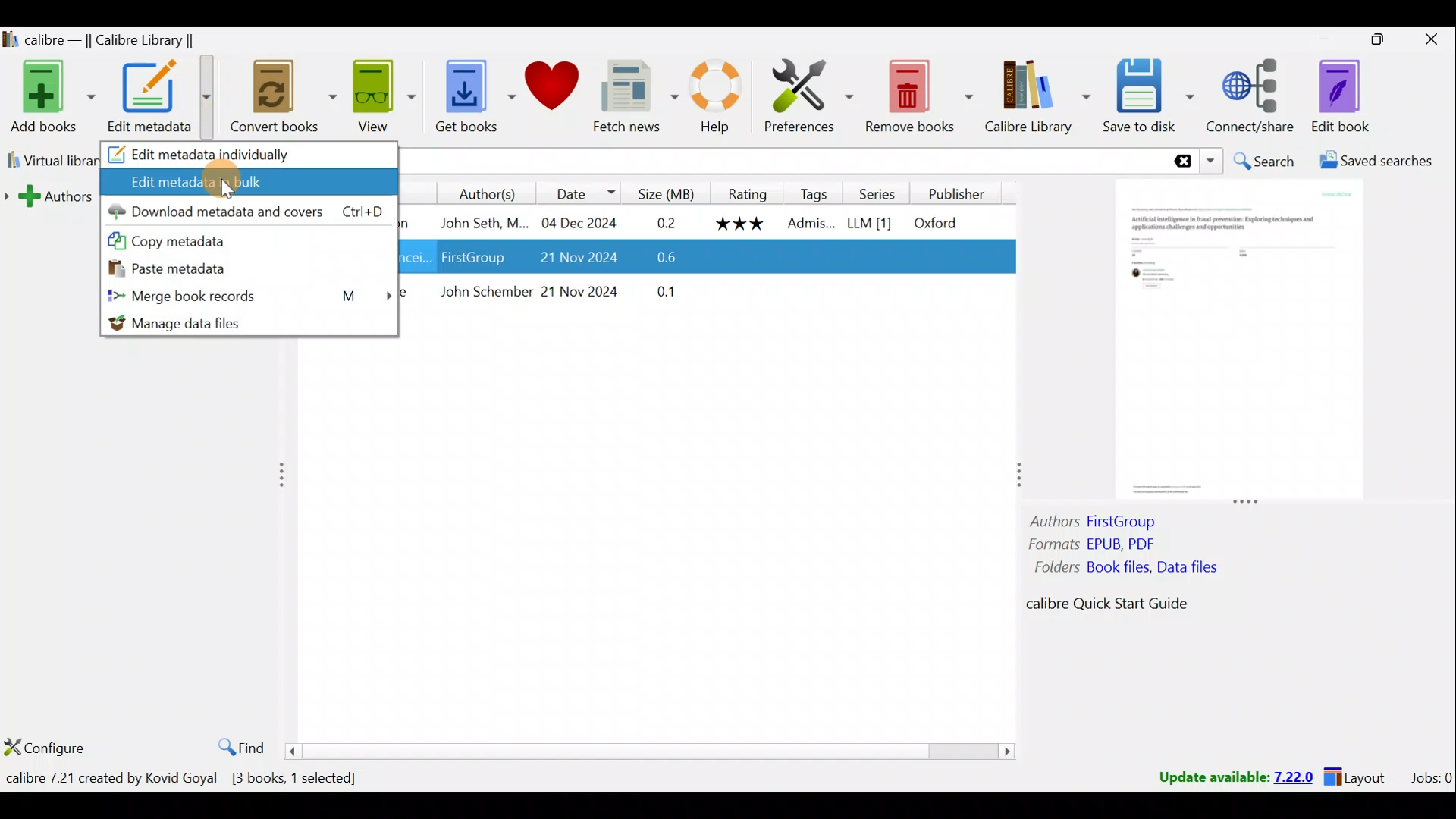 Image resolution: width=1456 pixels, height=819 pixels. What do you see at coordinates (748, 193) in the screenshot?
I see `Rating` at bounding box center [748, 193].